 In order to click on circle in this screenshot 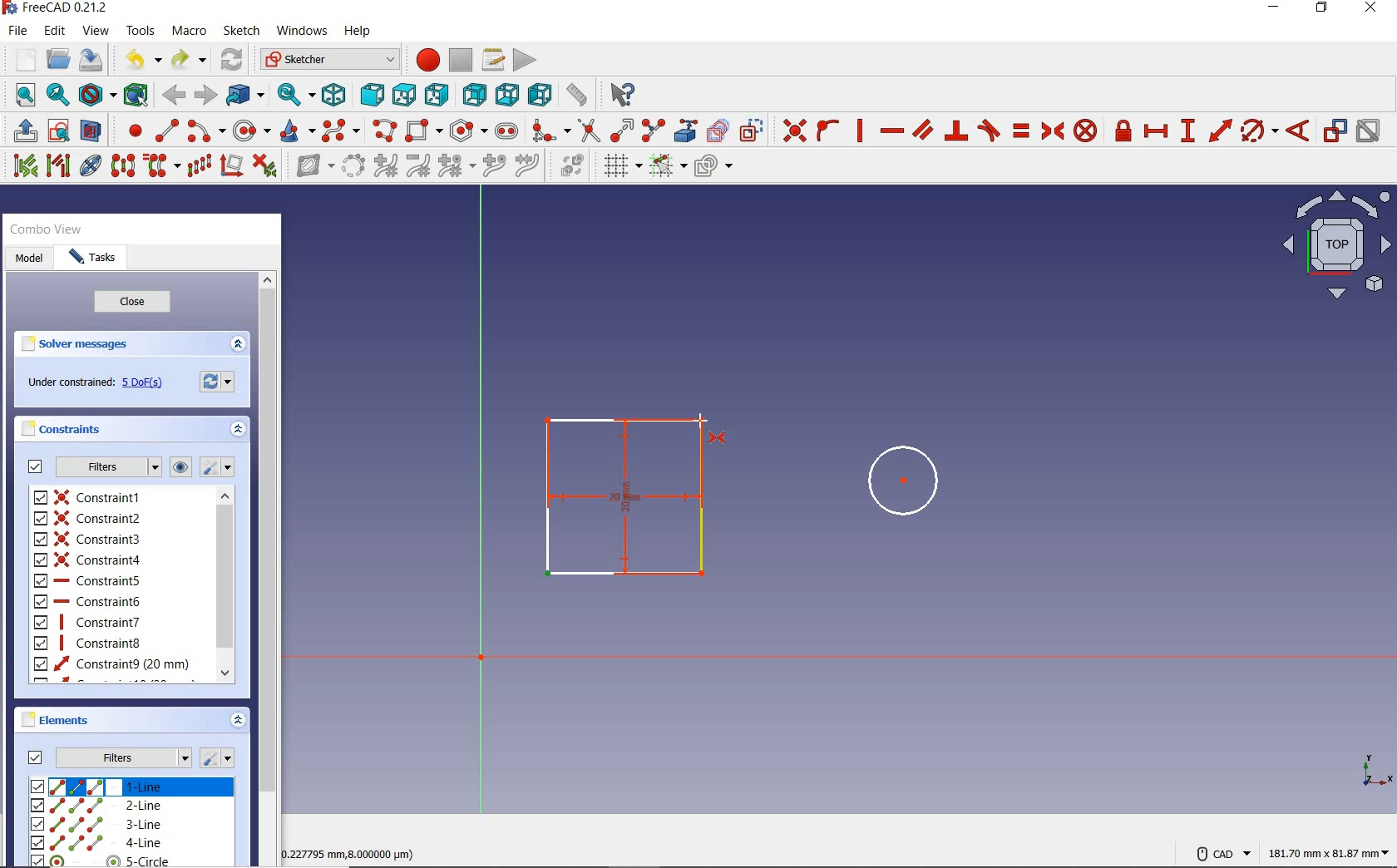, I will do `click(893, 481)`.